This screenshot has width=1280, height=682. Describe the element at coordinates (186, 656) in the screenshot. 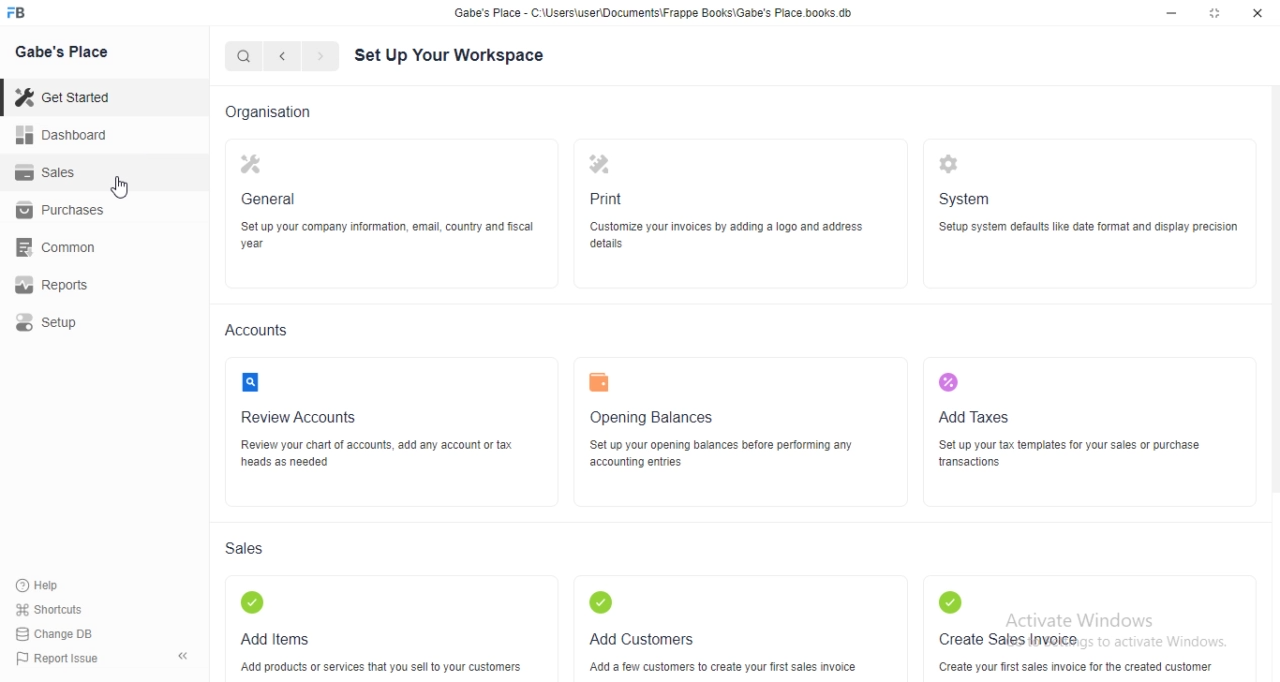

I see `collapse` at that location.